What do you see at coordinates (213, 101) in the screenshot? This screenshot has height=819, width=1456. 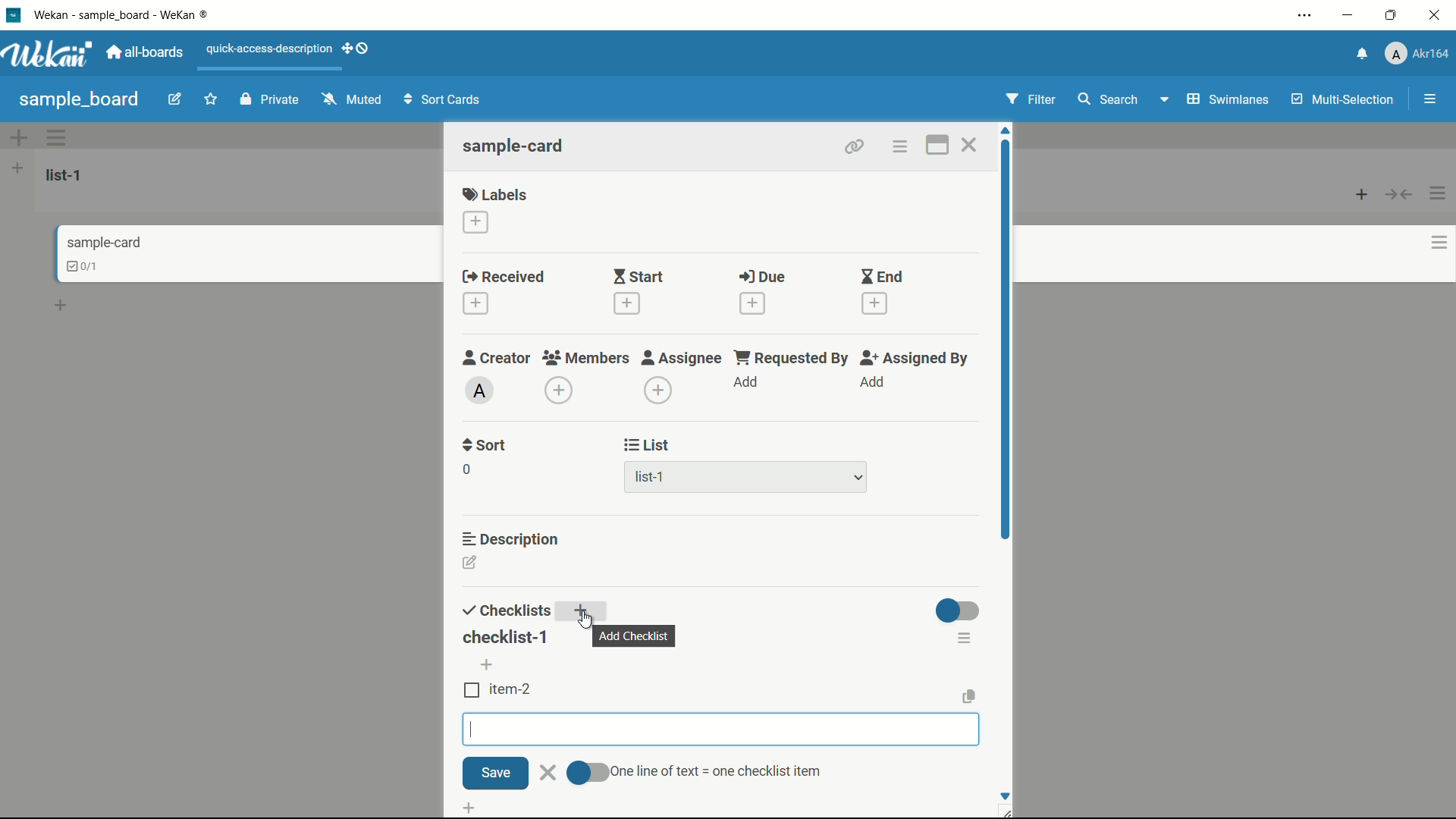 I see `star` at bounding box center [213, 101].